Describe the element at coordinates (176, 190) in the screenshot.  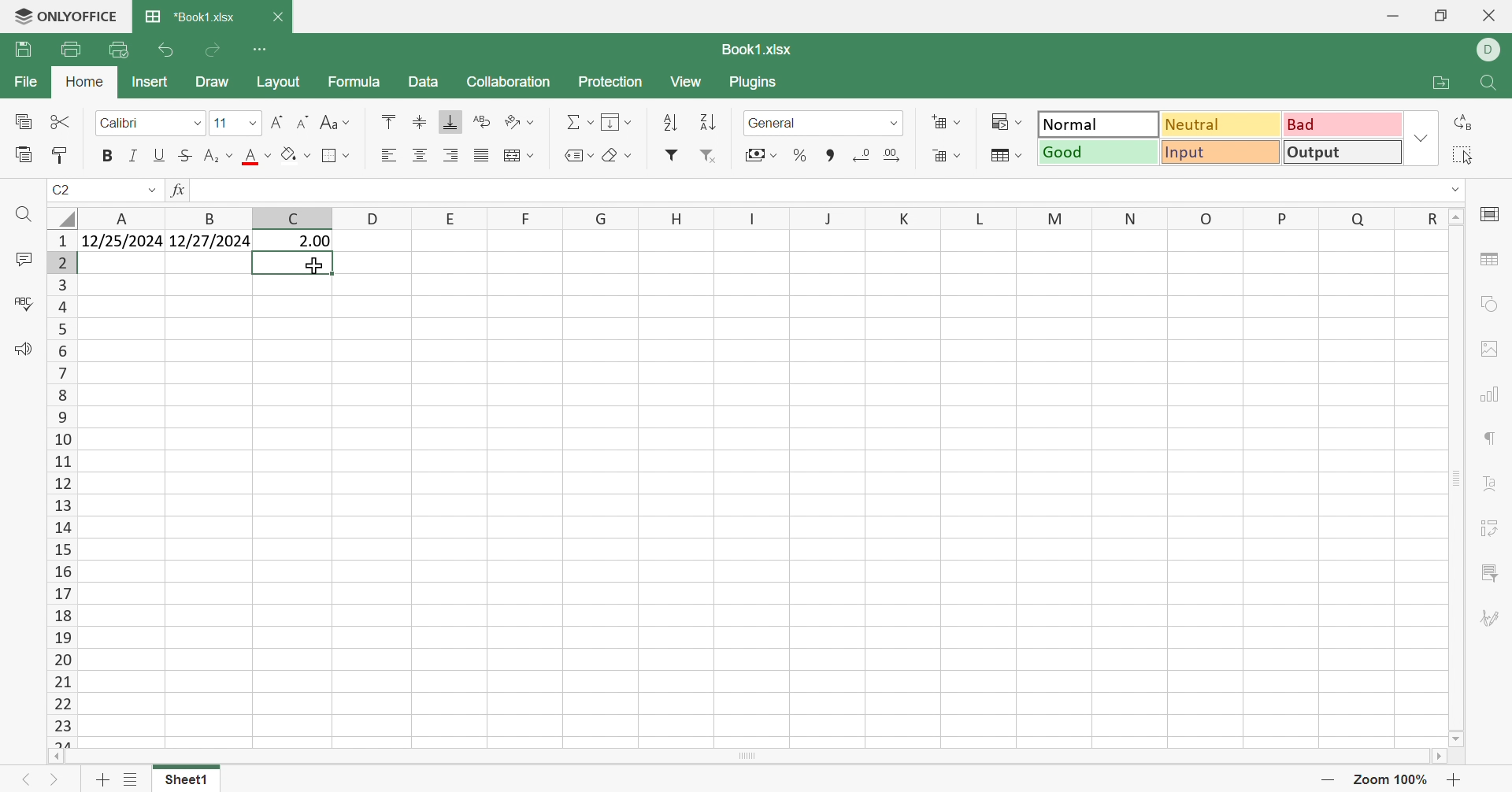
I see `fx` at that location.